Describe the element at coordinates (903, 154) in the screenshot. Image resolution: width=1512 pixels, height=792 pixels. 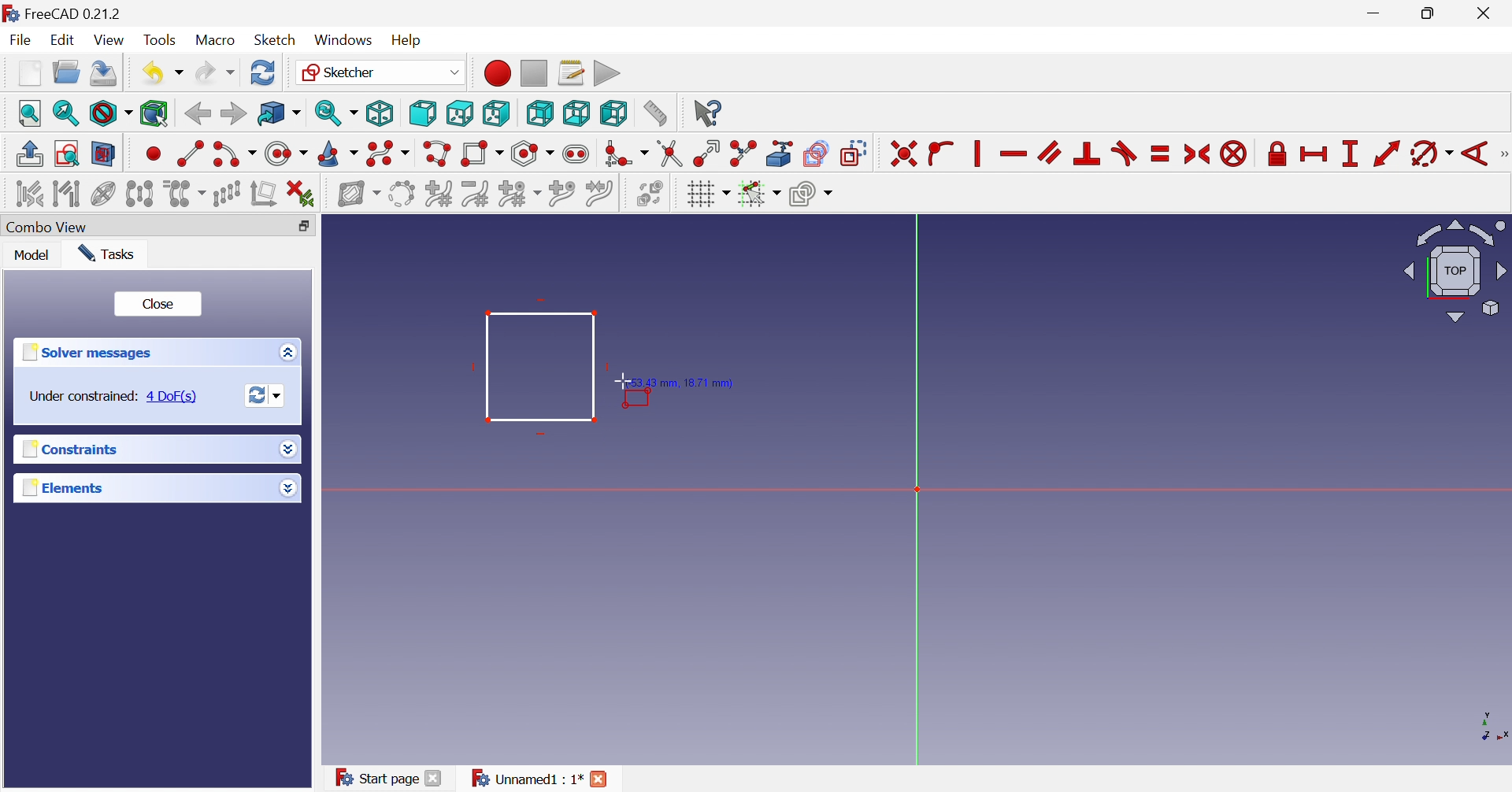
I see `Constrain coincident` at that location.